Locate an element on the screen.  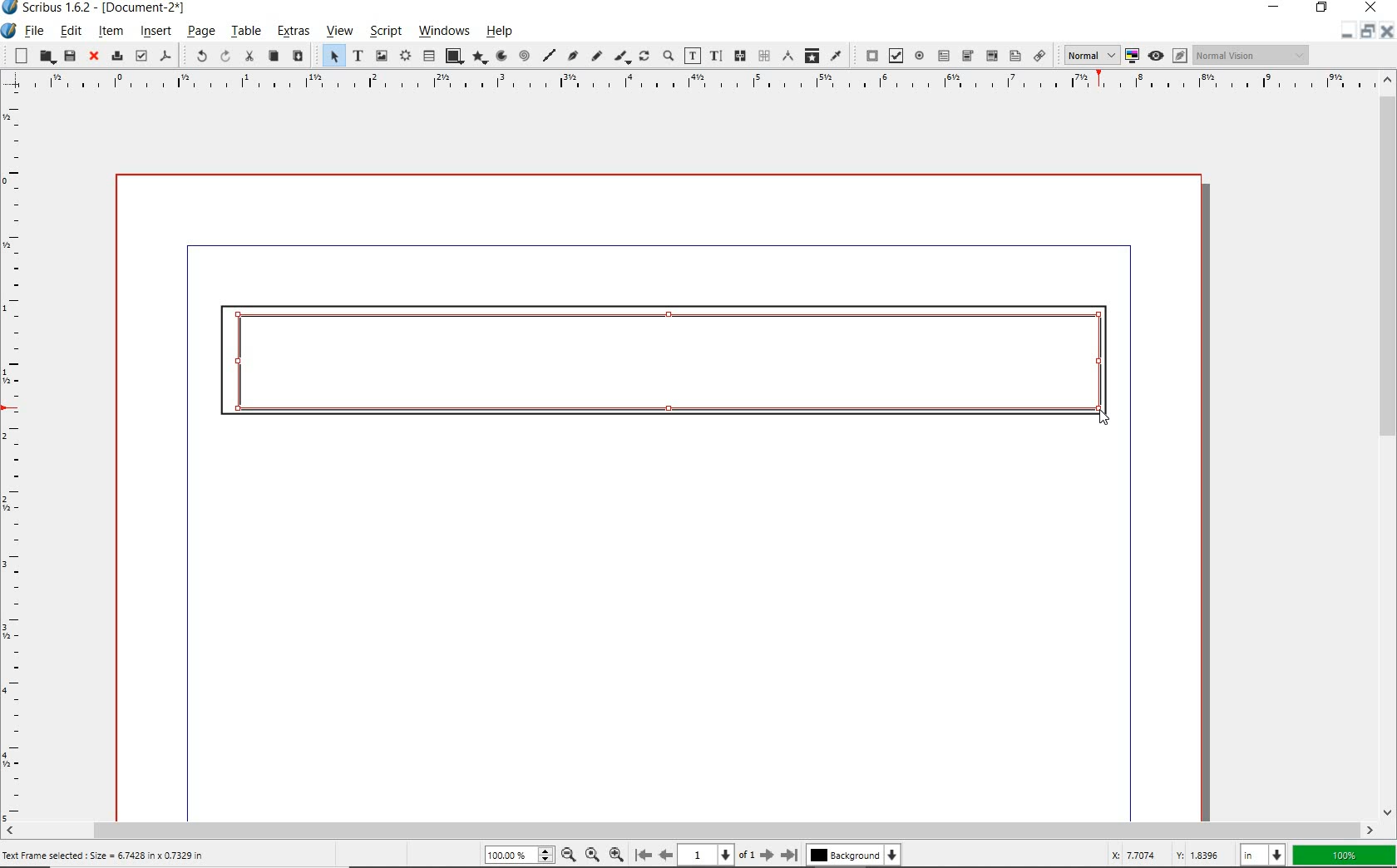
preflight verifier is located at coordinates (141, 56).